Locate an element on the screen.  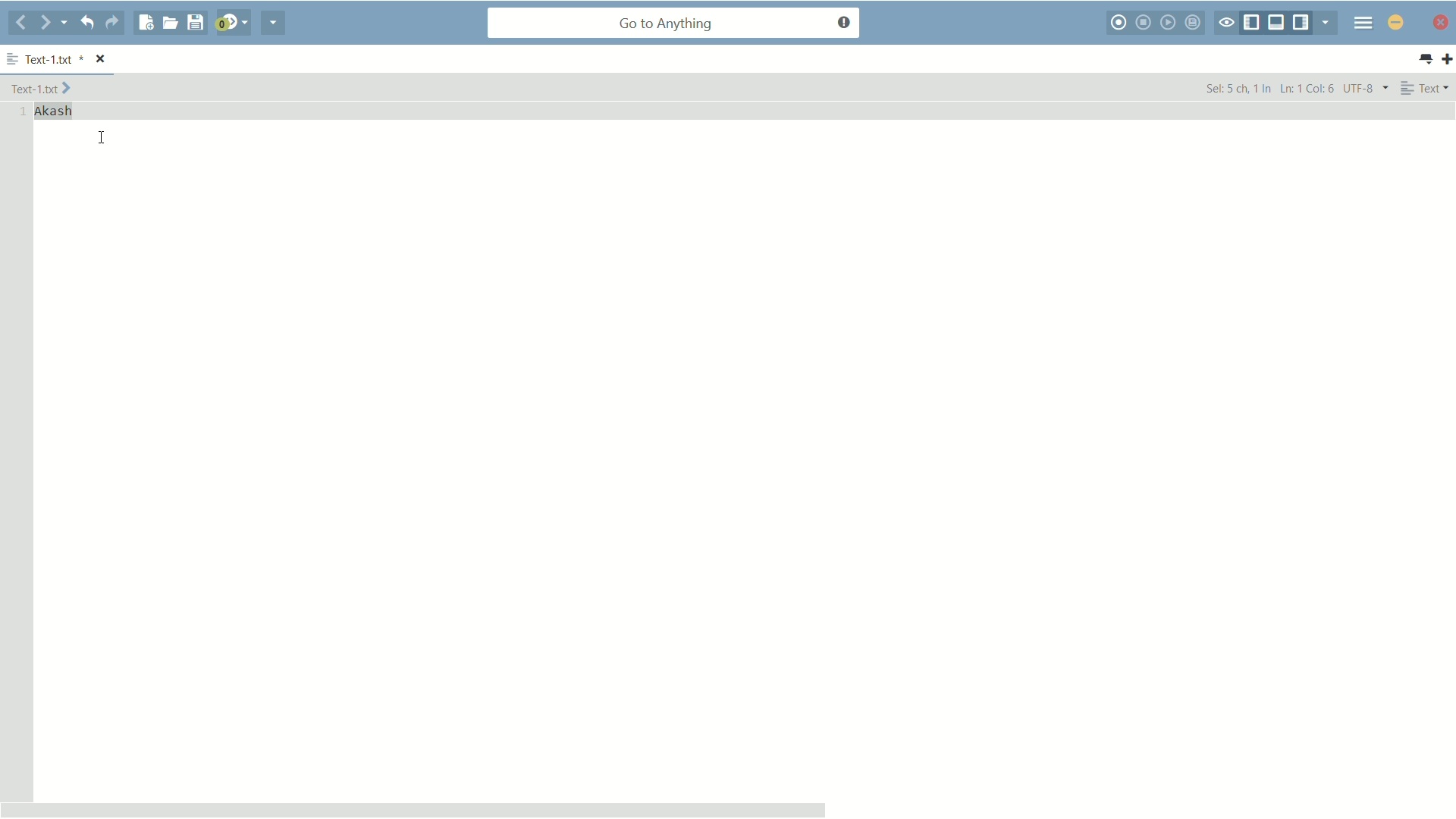
undo is located at coordinates (86, 22).